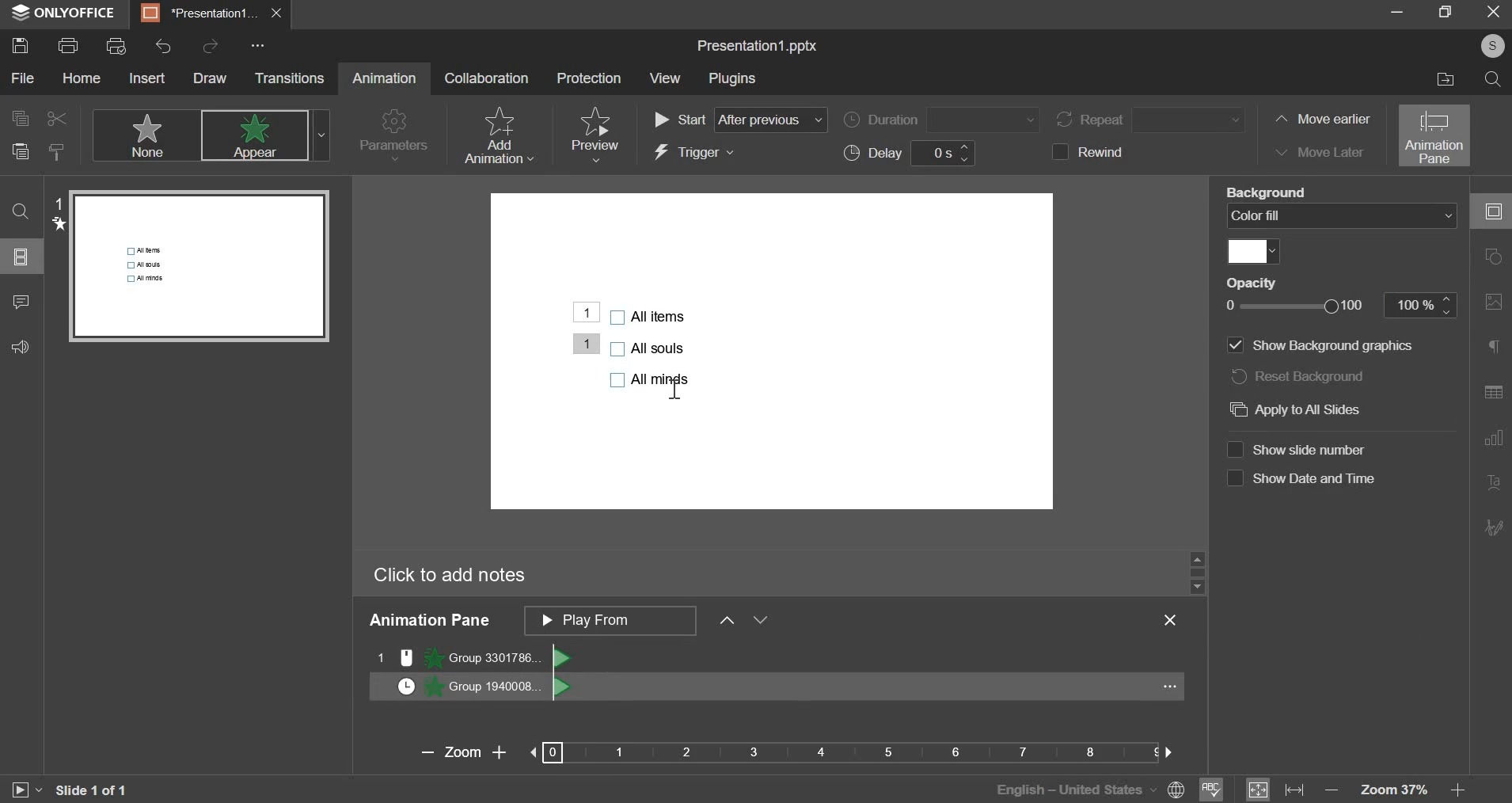 The width and height of the screenshot is (1512, 803). Describe the element at coordinates (497, 135) in the screenshot. I see `add animation` at that location.